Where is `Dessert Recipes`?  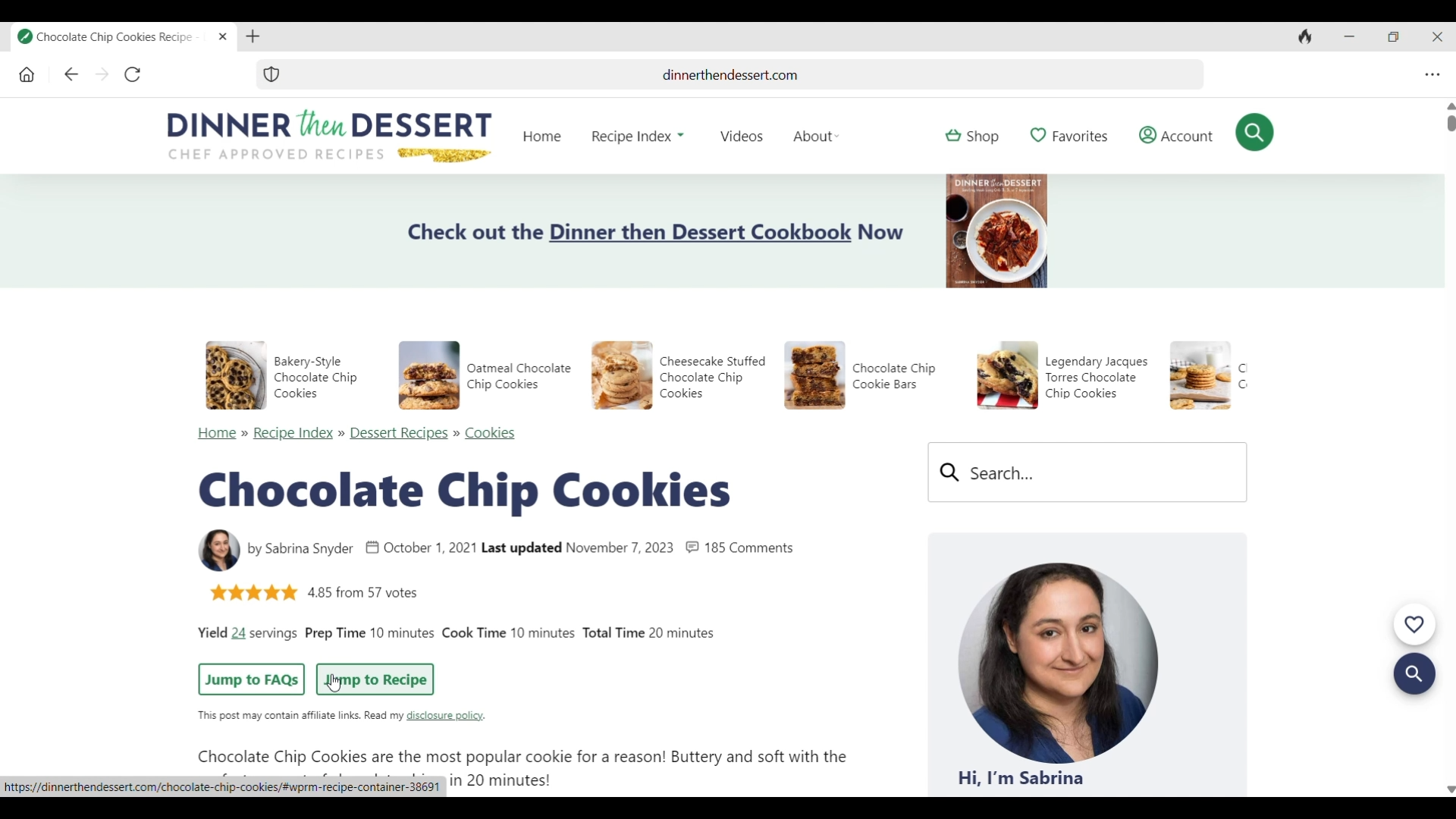 Dessert Recipes is located at coordinates (400, 434).